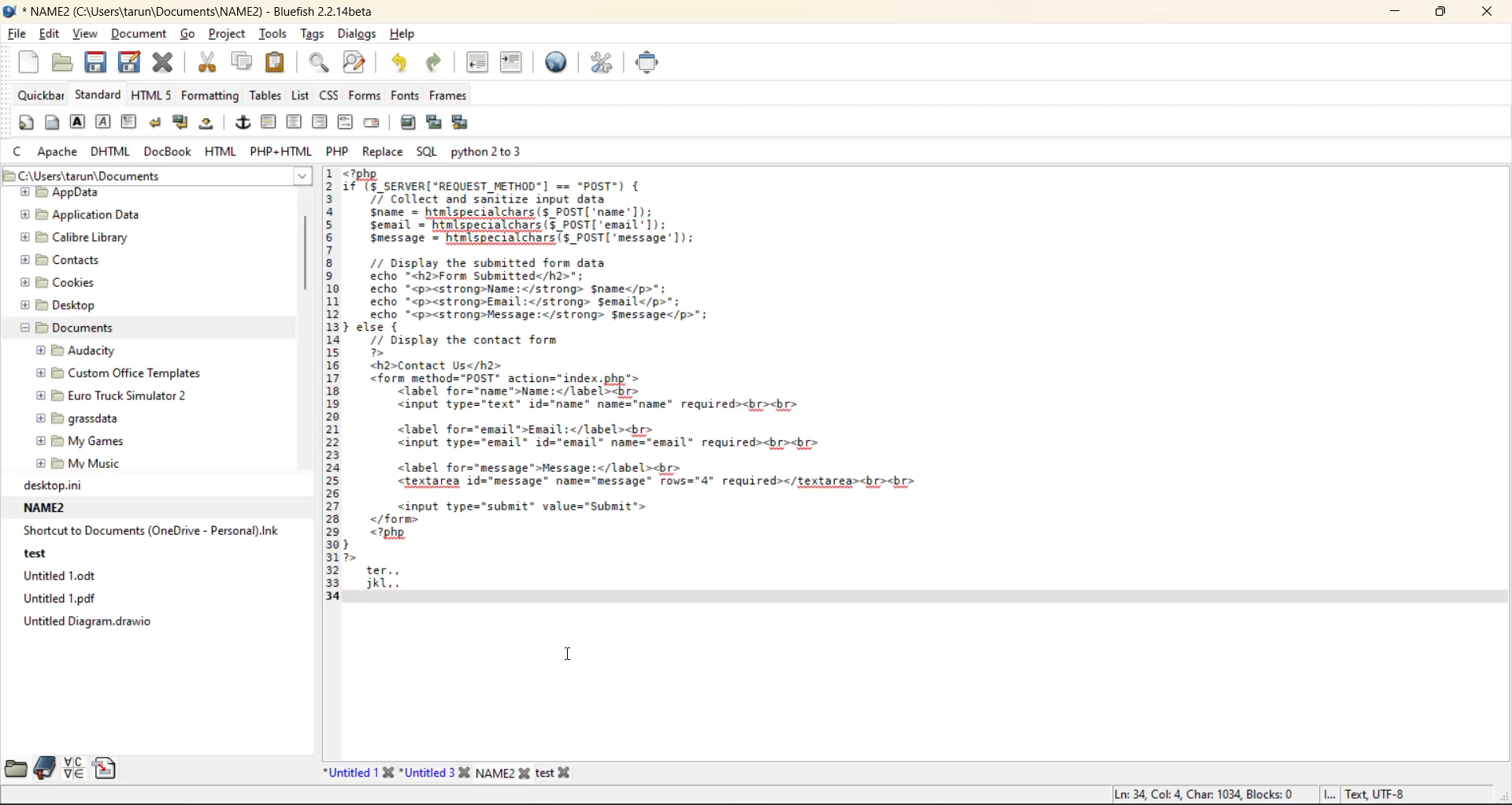  What do you see at coordinates (239, 65) in the screenshot?
I see `copy` at bounding box center [239, 65].